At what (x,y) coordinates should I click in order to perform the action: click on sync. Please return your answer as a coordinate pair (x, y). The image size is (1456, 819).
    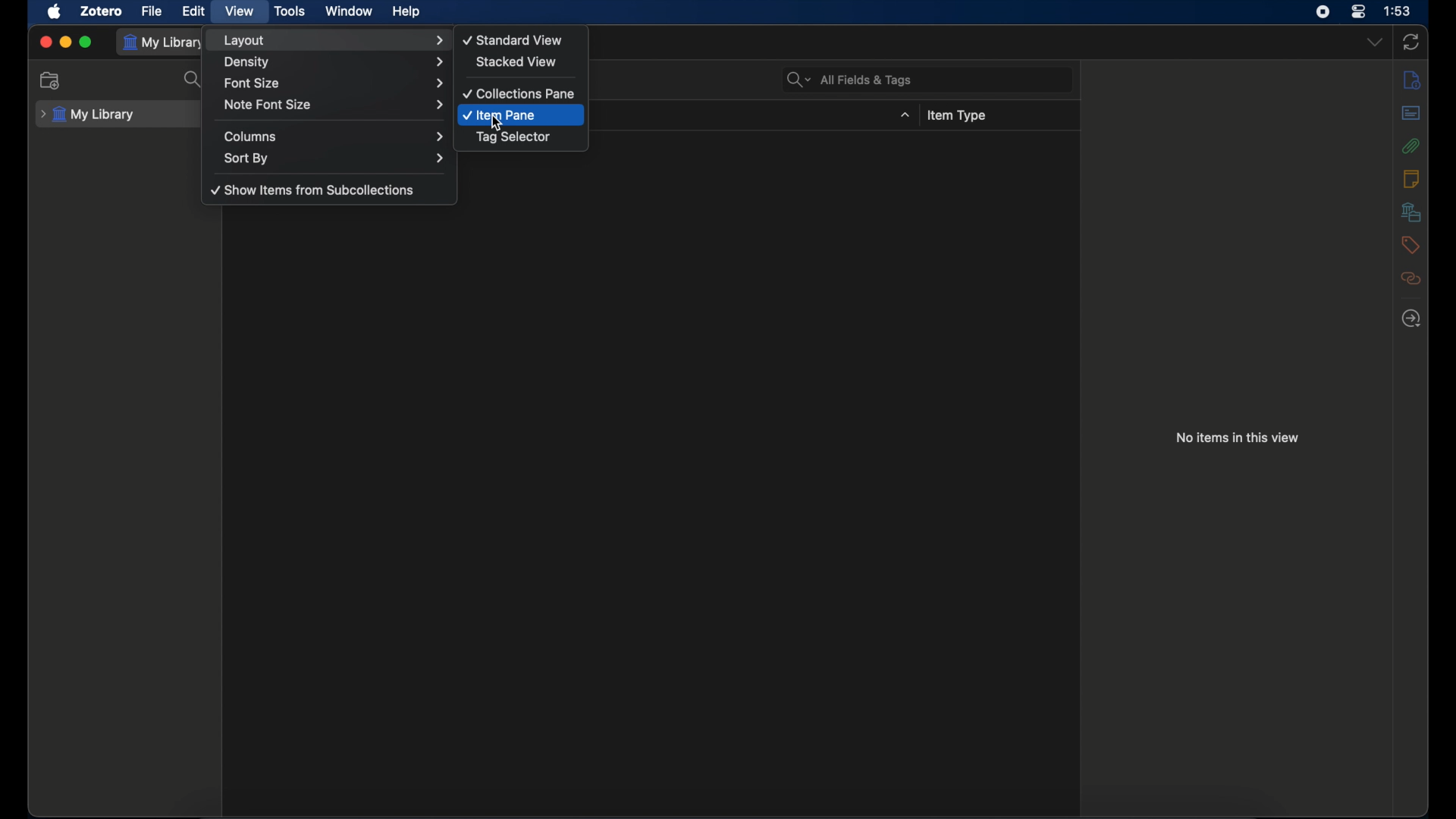
    Looking at the image, I should click on (1410, 42).